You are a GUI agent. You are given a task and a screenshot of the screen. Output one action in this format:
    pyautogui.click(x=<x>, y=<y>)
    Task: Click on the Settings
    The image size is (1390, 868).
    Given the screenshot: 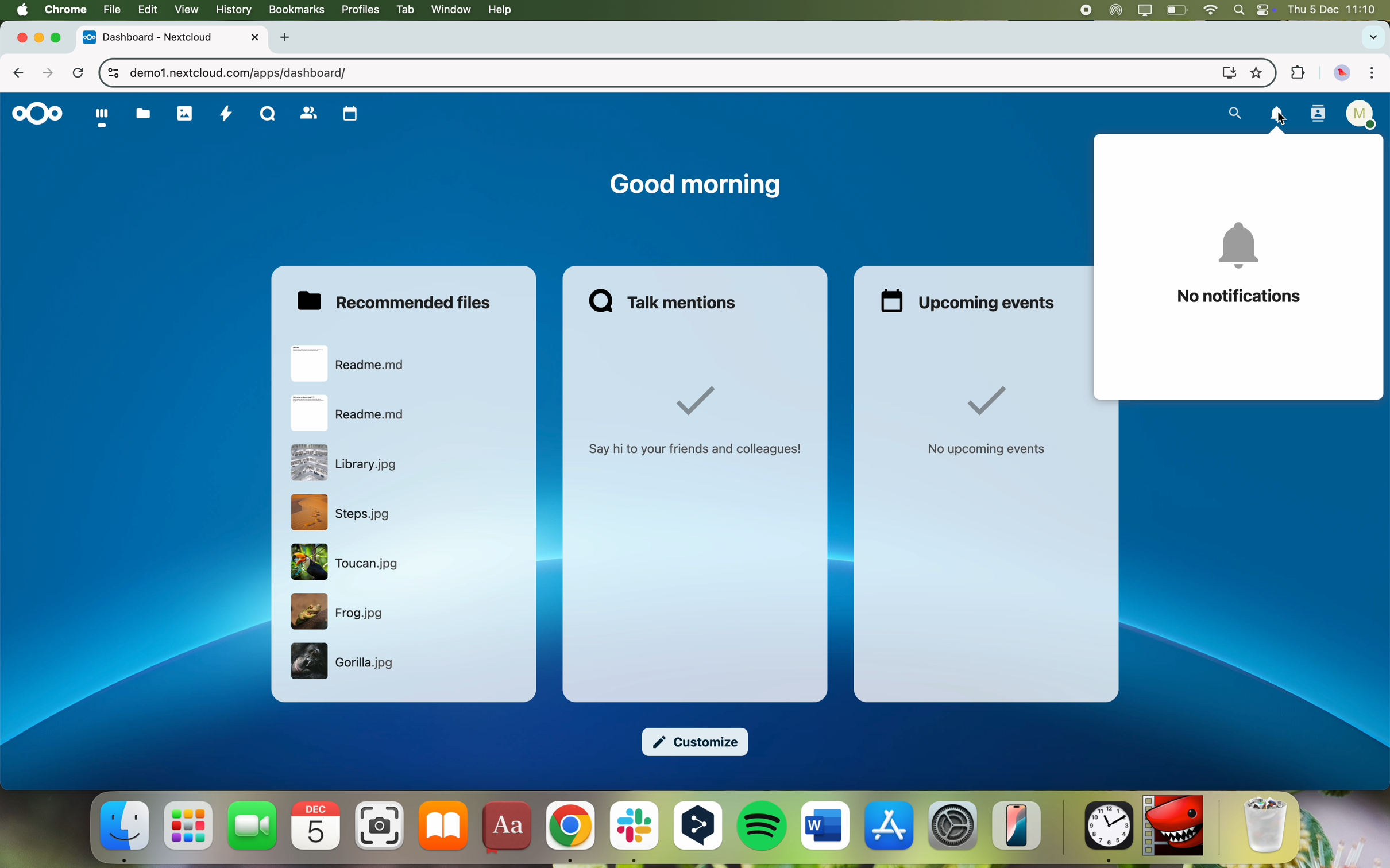 What is the action you would take?
    pyautogui.click(x=953, y=826)
    